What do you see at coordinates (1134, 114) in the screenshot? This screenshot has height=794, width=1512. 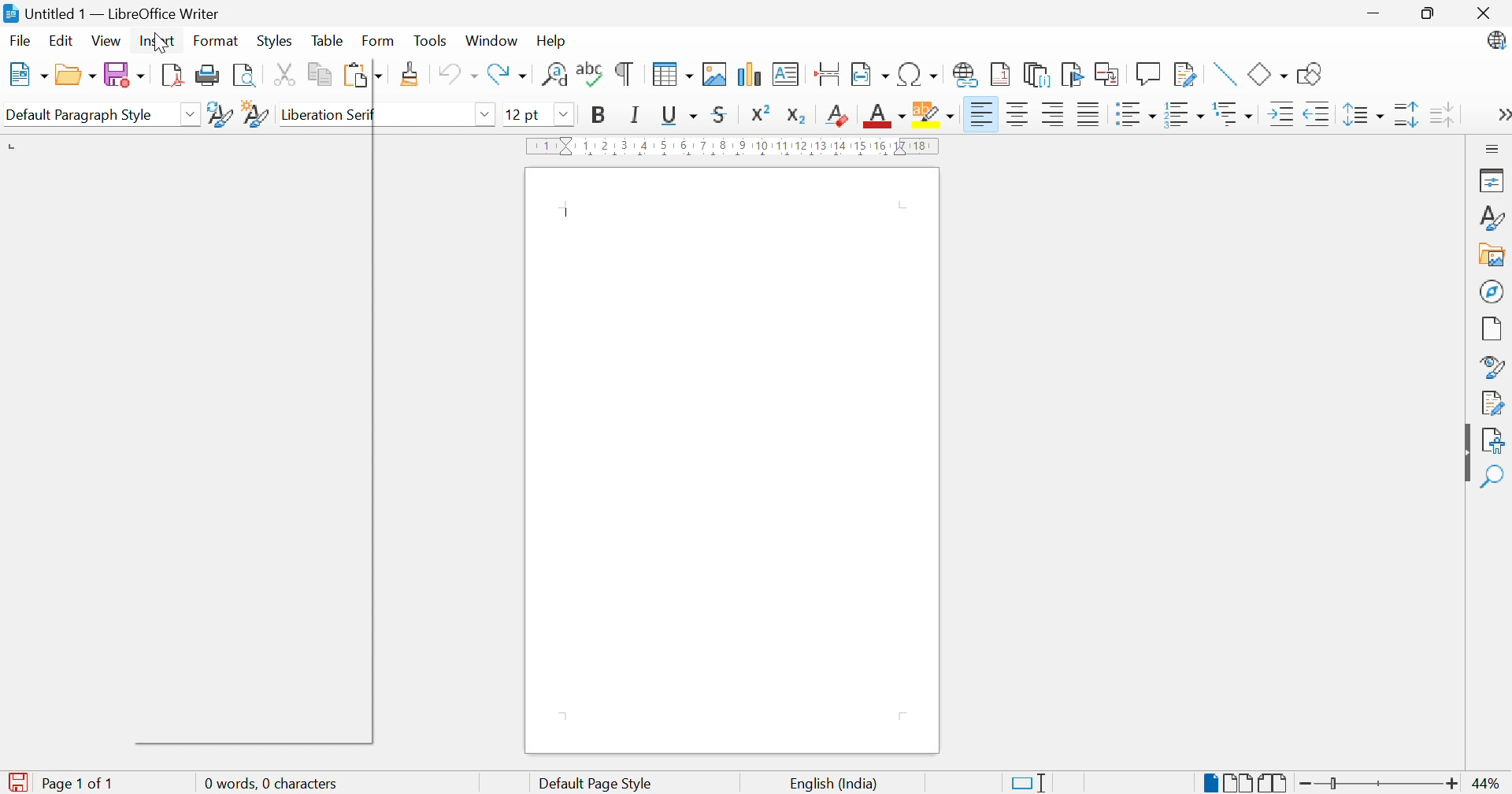 I see `Toggle unordered list` at bounding box center [1134, 114].